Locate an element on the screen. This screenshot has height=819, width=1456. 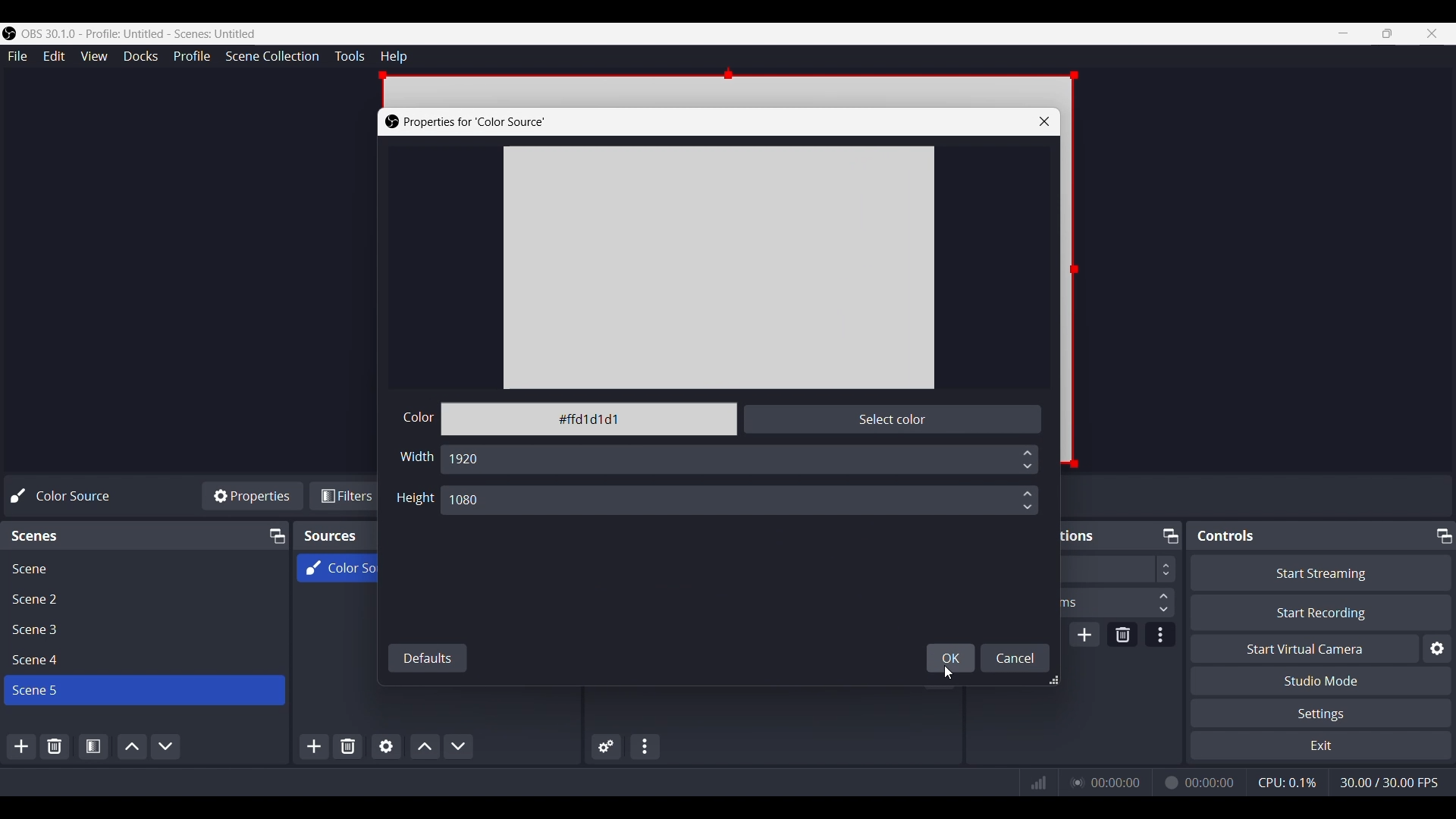
Move Sources Up  is located at coordinates (424, 747).